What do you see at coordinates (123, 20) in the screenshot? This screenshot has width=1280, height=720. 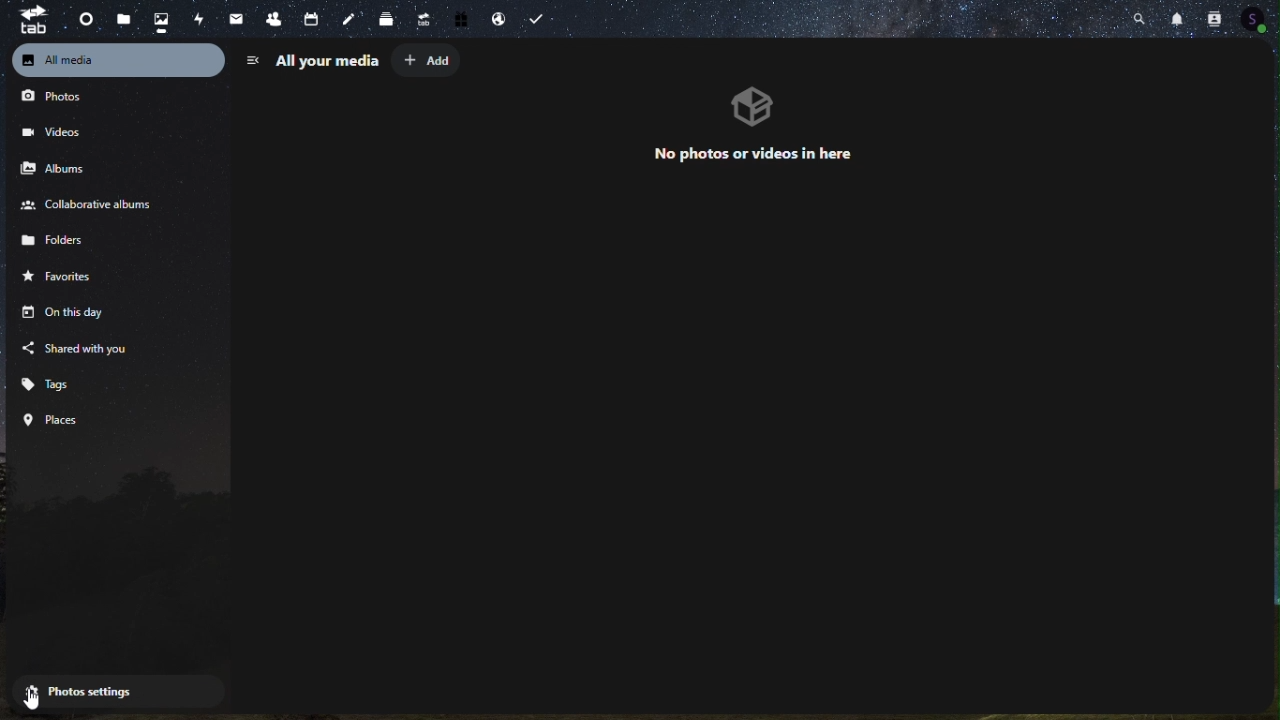 I see `file` at bounding box center [123, 20].